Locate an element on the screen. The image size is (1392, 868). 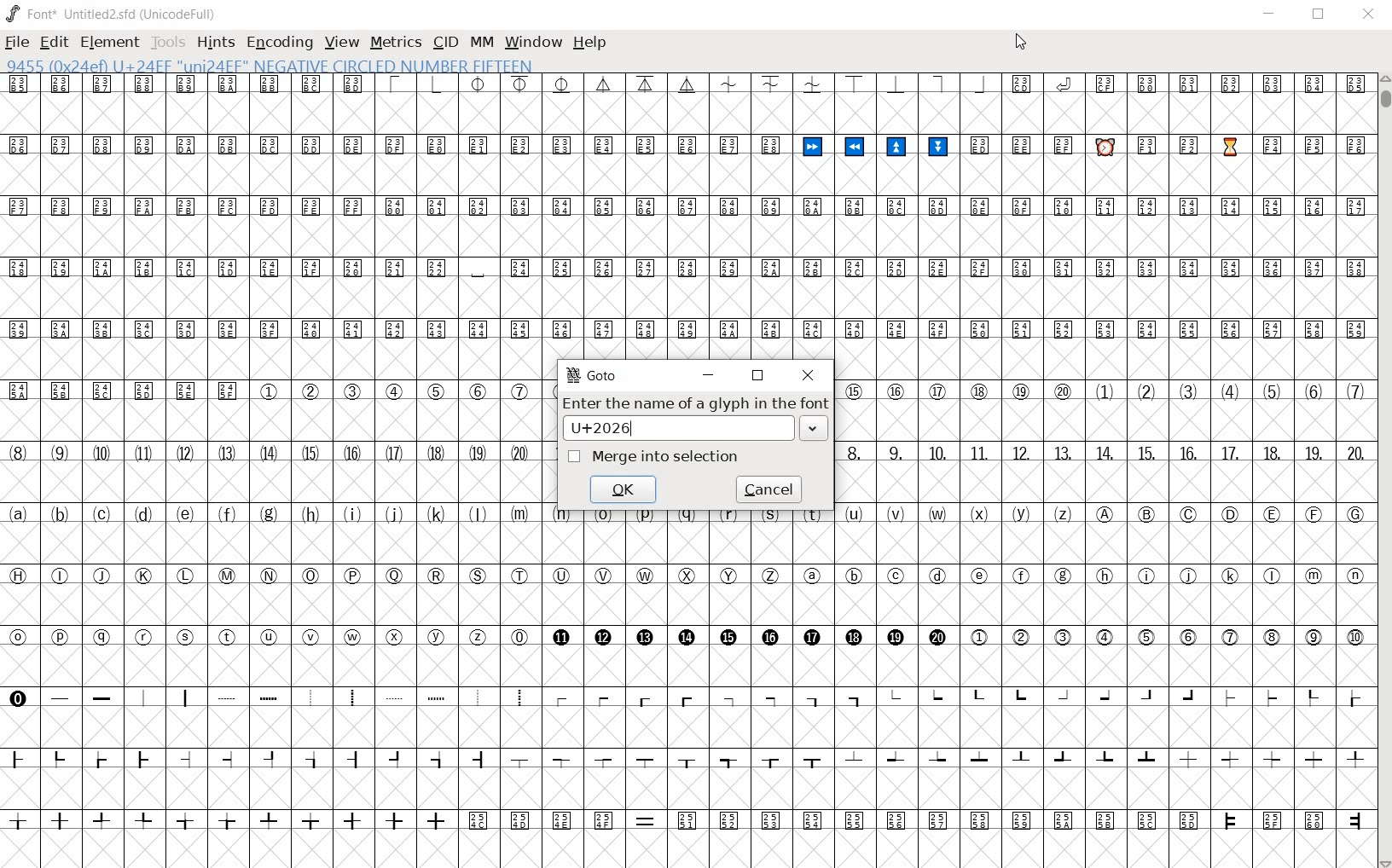
ENCODING is located at coordinates (278, 43).